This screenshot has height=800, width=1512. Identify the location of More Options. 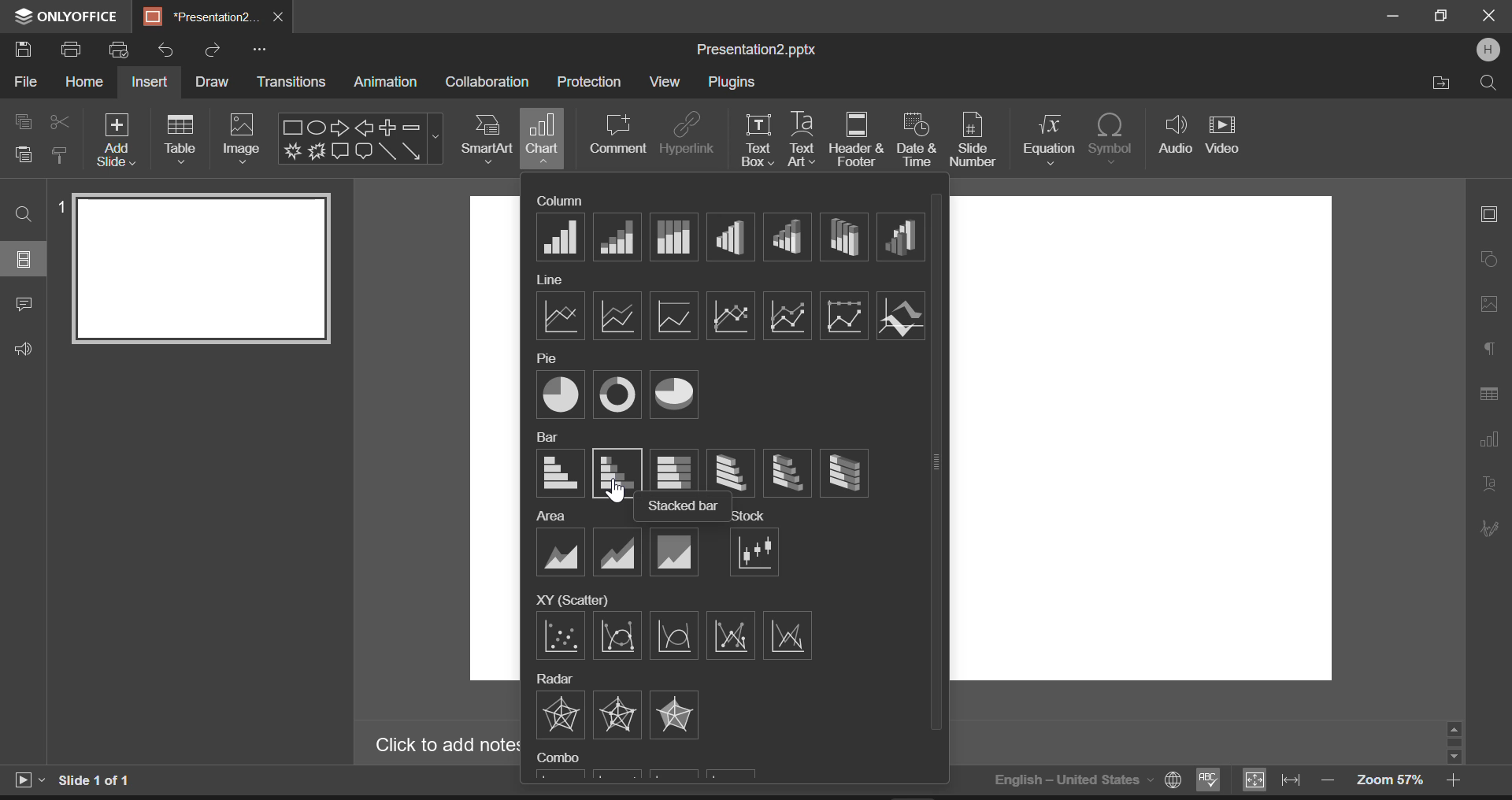
(259, 49).